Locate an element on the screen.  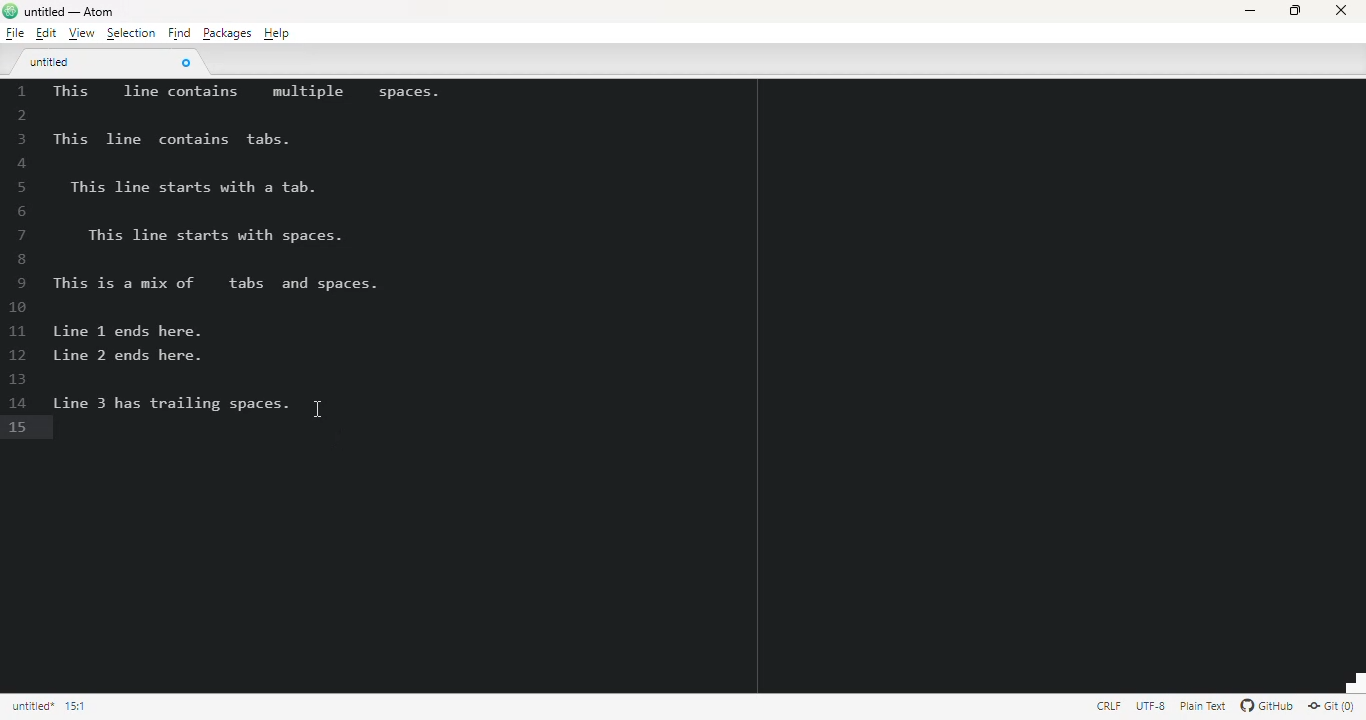
untitled tab is located at coordinates (51, 61).